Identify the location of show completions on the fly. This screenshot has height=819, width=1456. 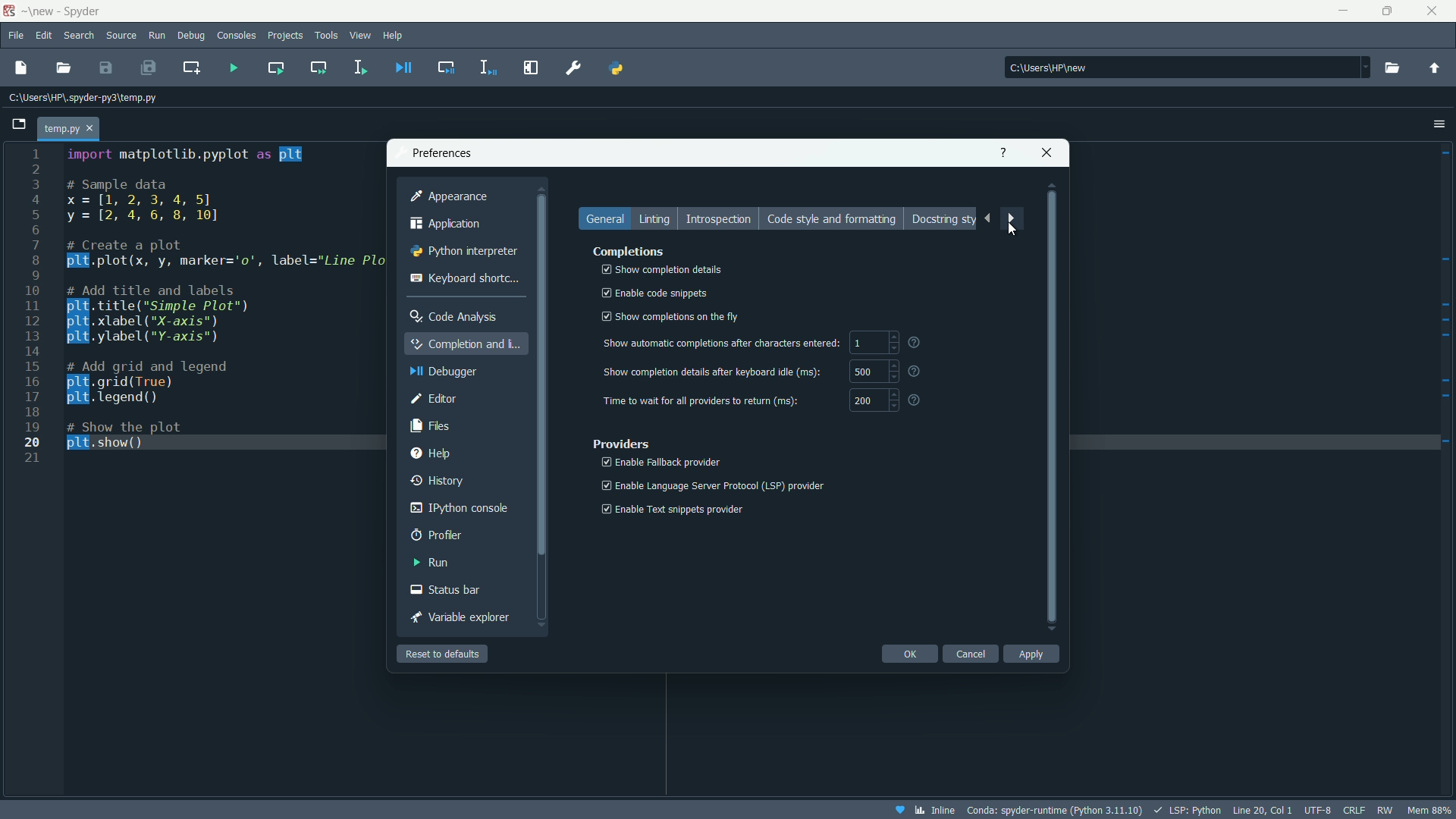
(668, 317).